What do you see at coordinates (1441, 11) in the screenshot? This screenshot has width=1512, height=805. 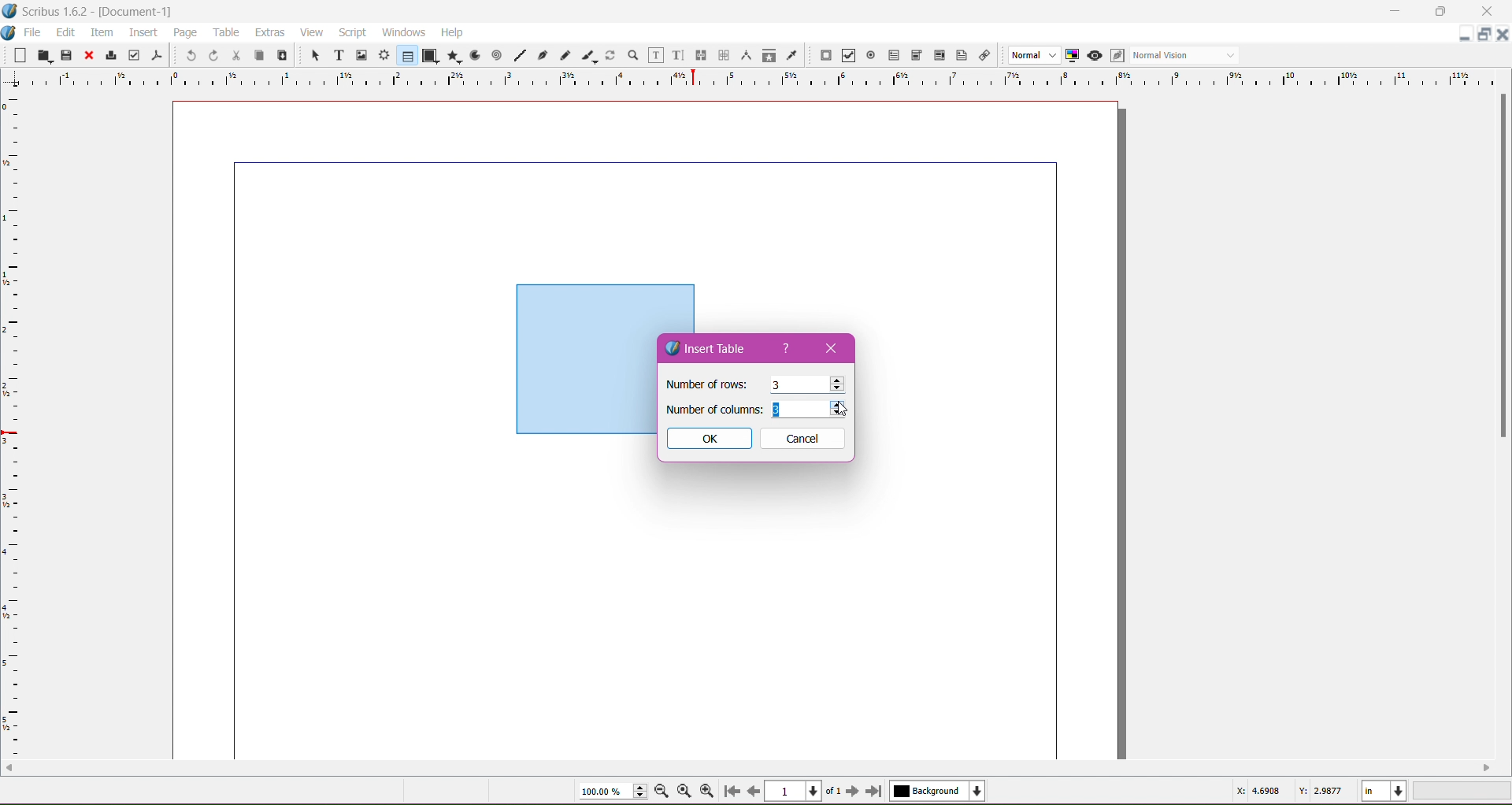 I see `Maximize` at bounding box center [1441, 11].